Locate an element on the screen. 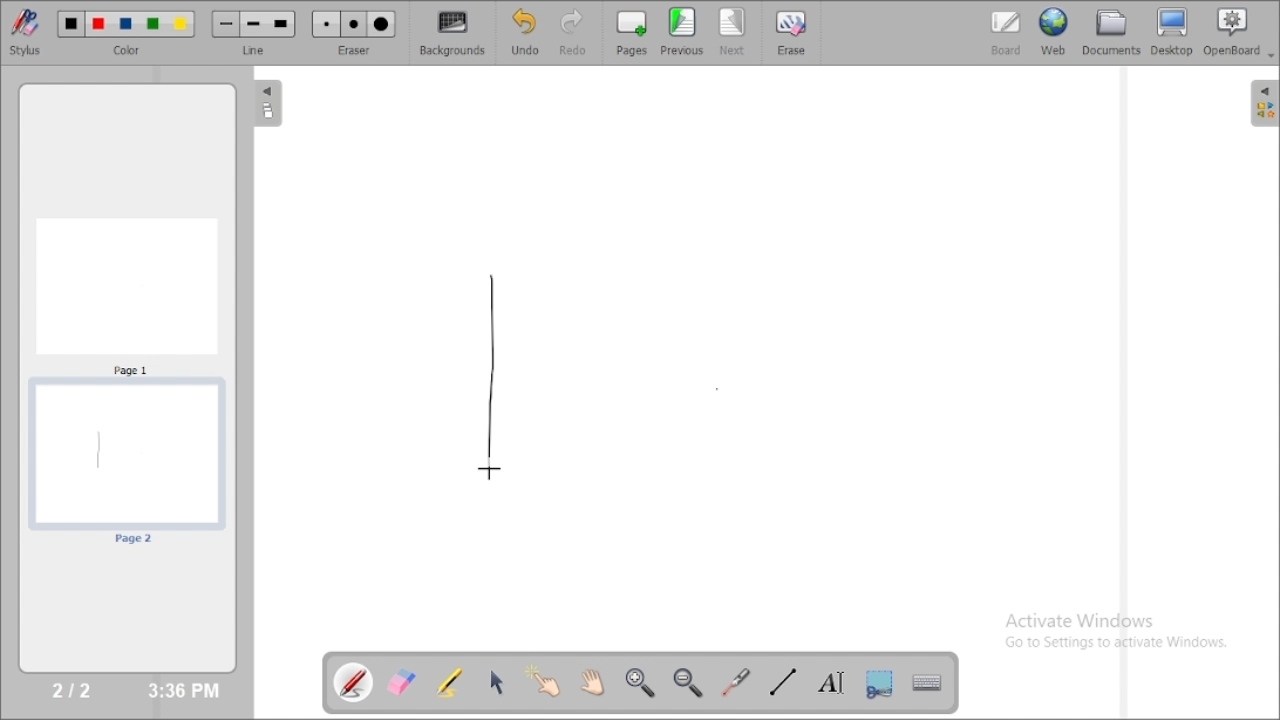 Image resolution: width=1280 pixels, height=720 pixels. Small line is located at coordinates (226, 24).